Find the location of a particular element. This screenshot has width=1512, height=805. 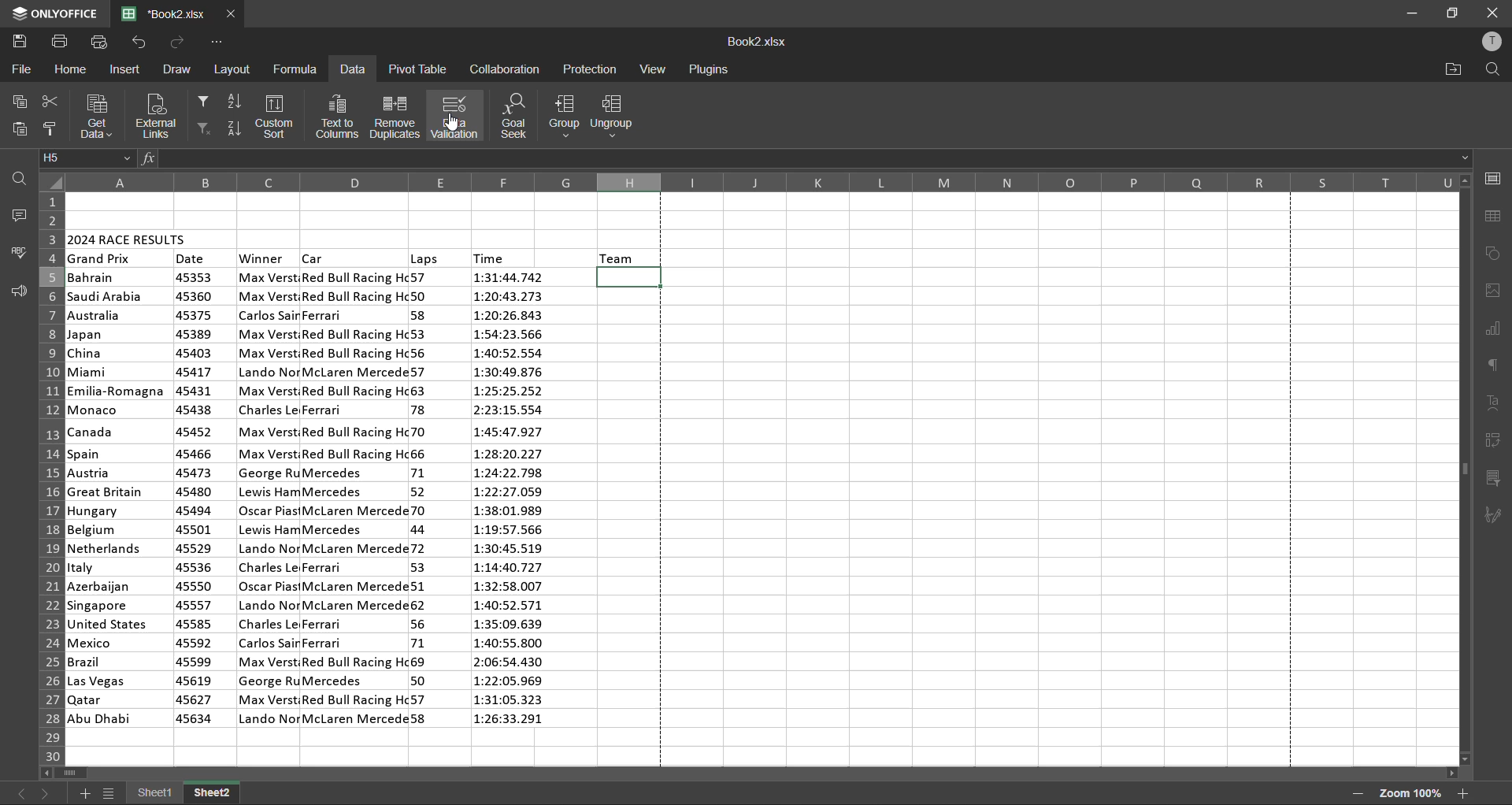

shapes is located at coordinates (1494, 254).